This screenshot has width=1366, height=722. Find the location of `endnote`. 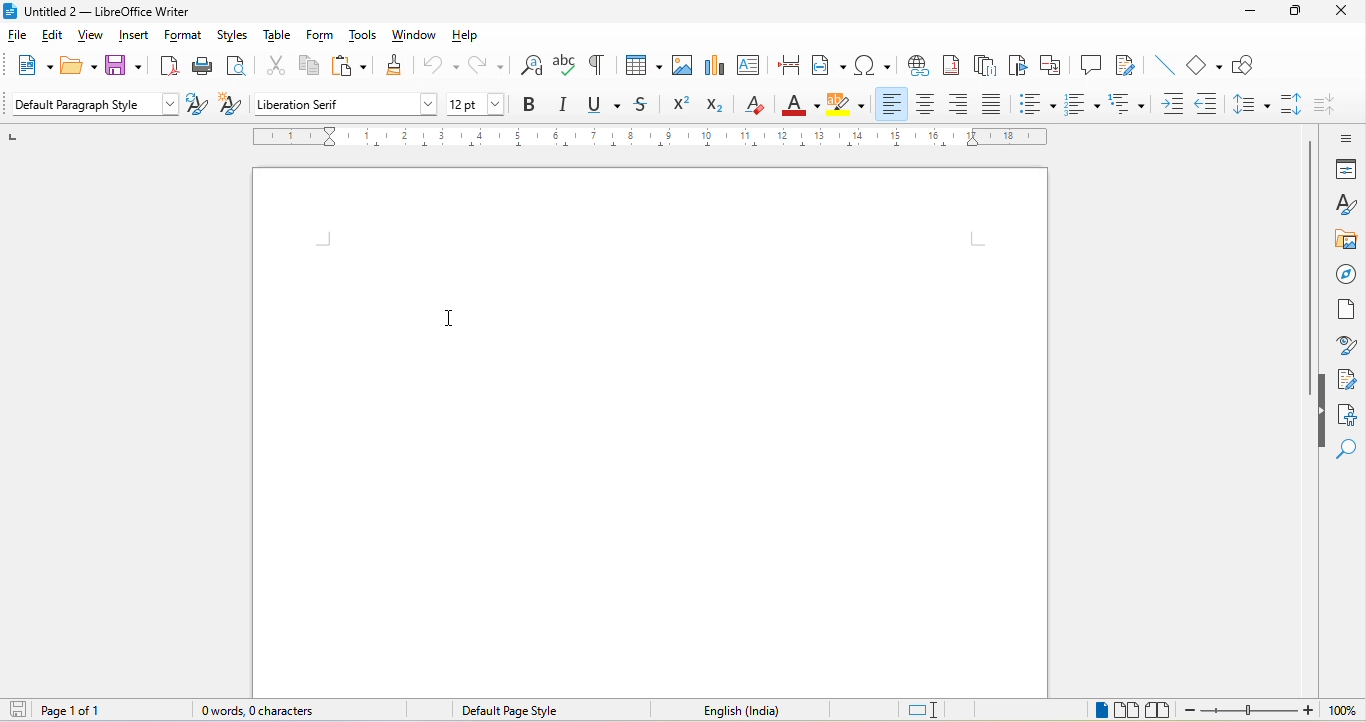

endnote is located at coordinates (988, 68).